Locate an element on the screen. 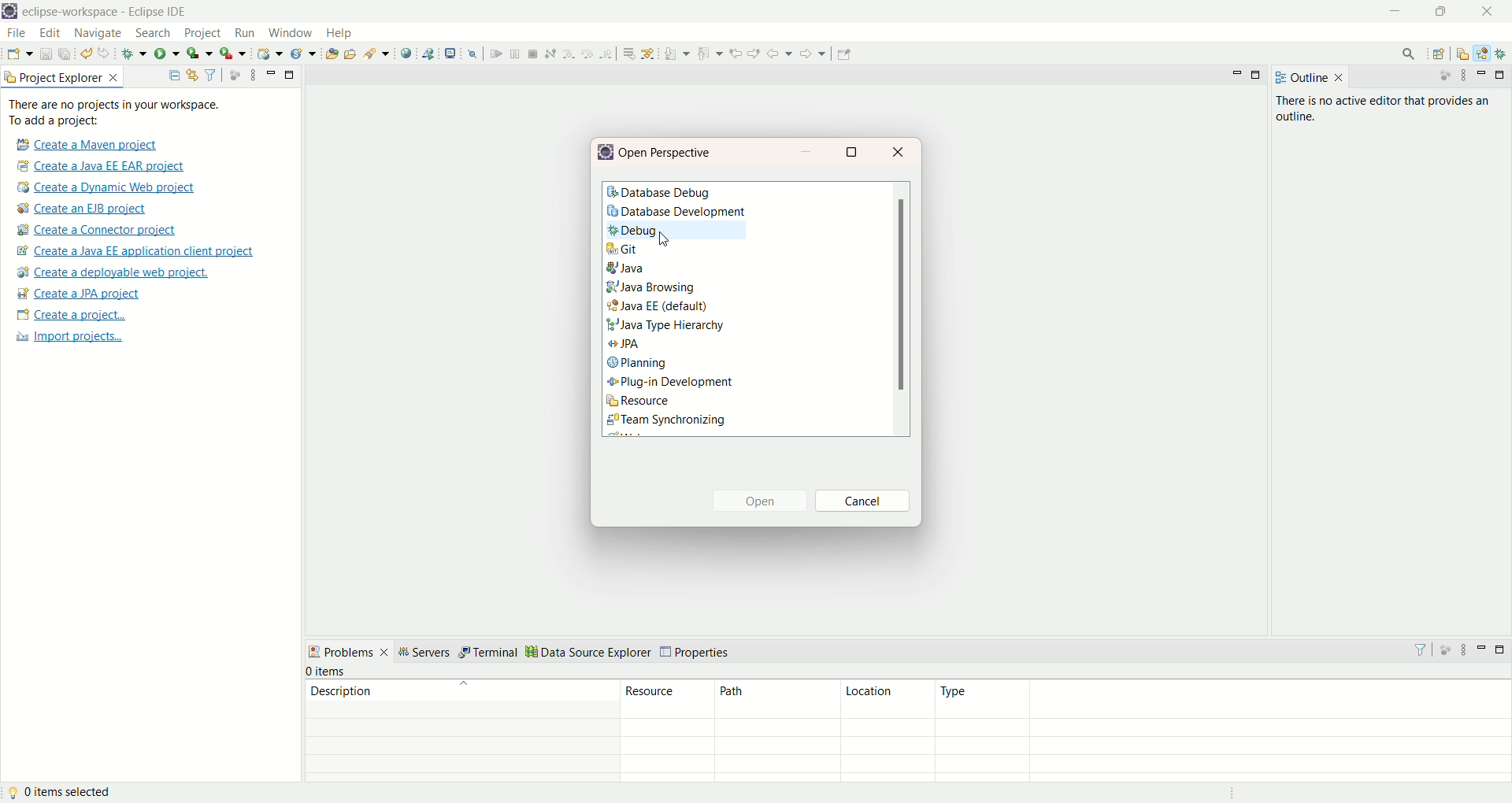 The height and width of the screenshot is (803, 1512). cancel is located at coordinates (865, 502).